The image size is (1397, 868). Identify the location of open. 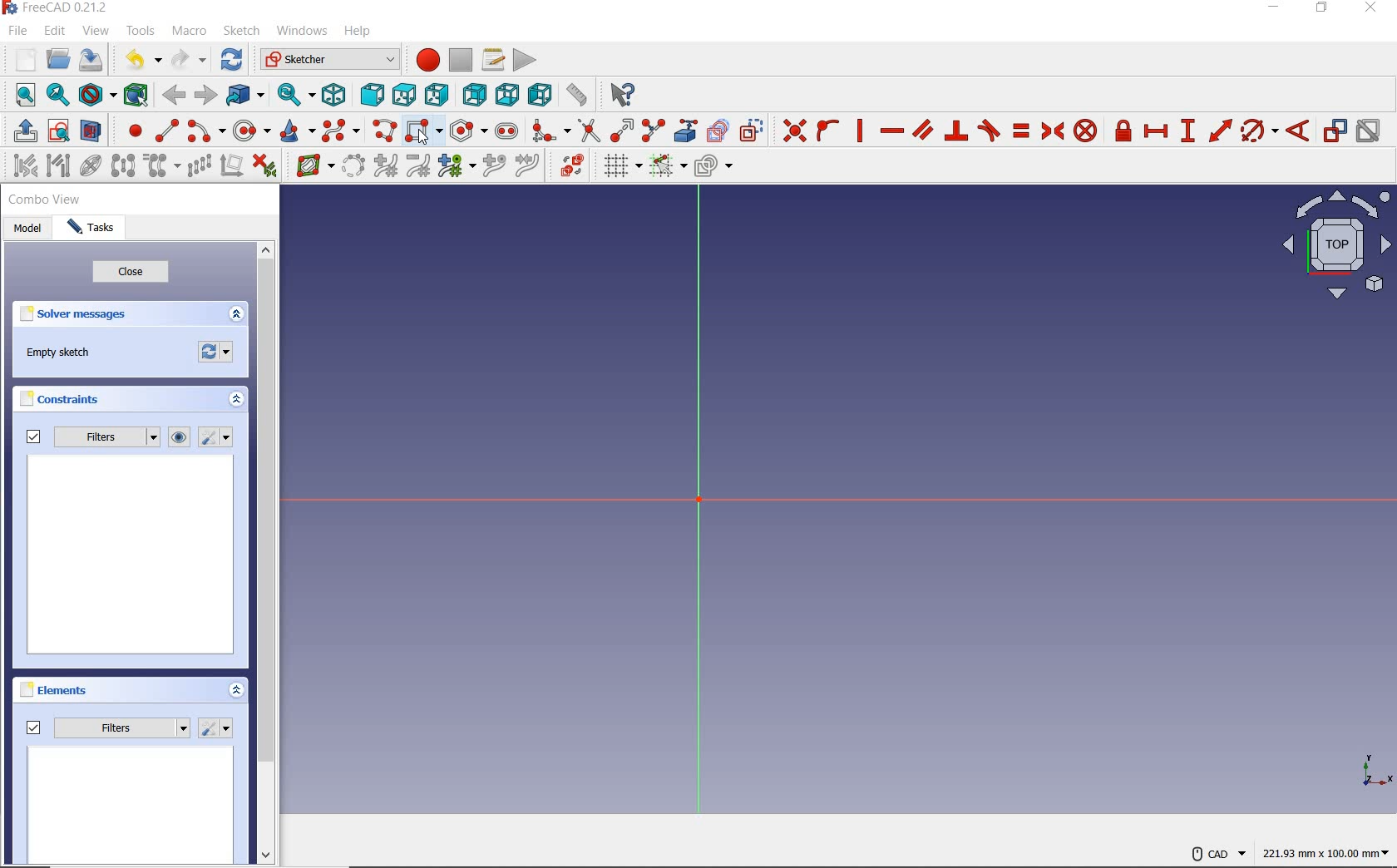
(60, 57).